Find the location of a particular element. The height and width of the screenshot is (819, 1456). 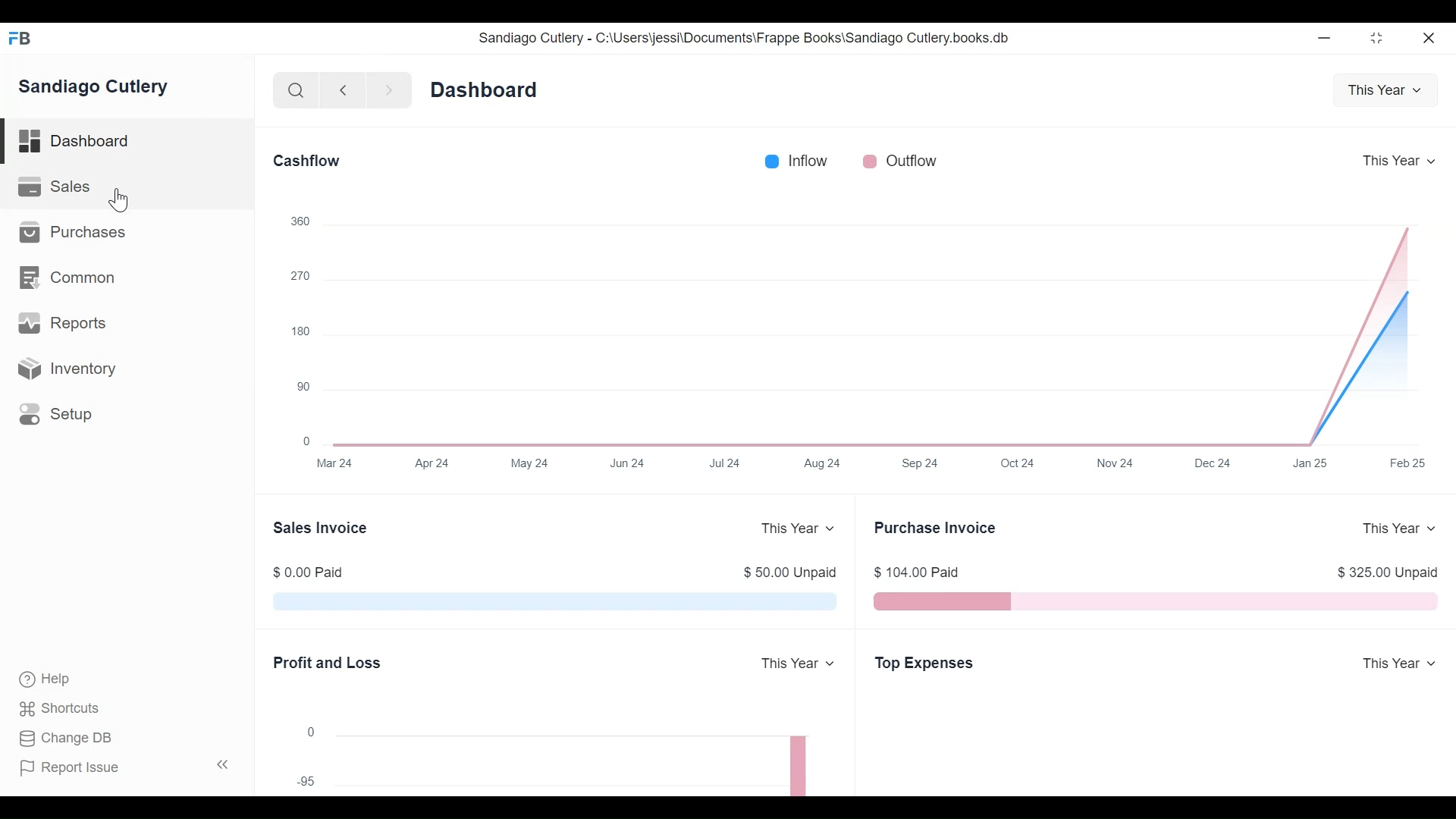

270 is located at coordinates (302, 275).